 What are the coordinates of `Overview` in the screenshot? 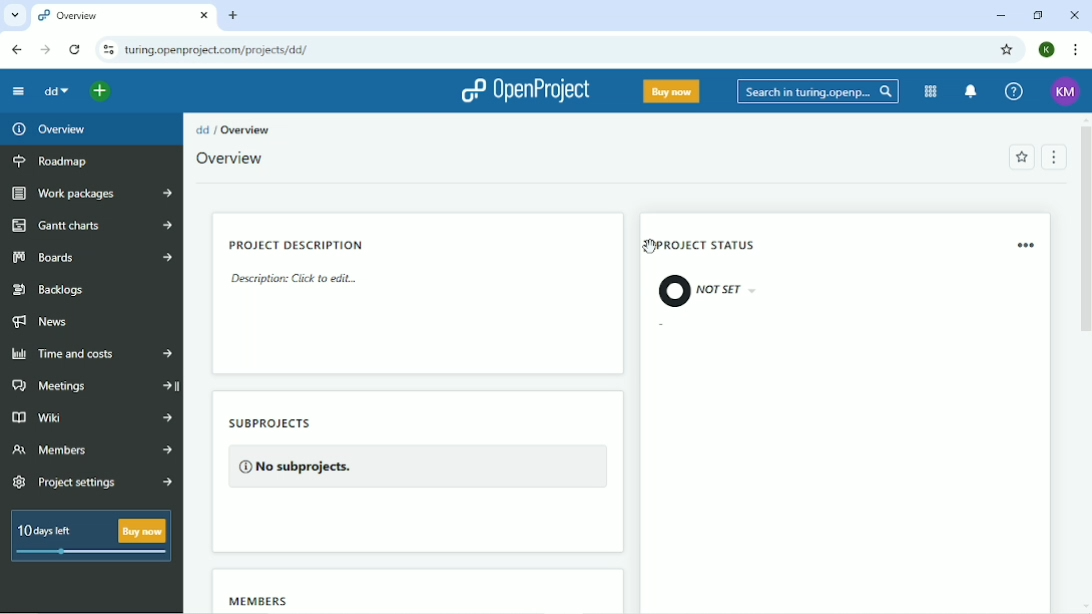 It's located at (47, 129).